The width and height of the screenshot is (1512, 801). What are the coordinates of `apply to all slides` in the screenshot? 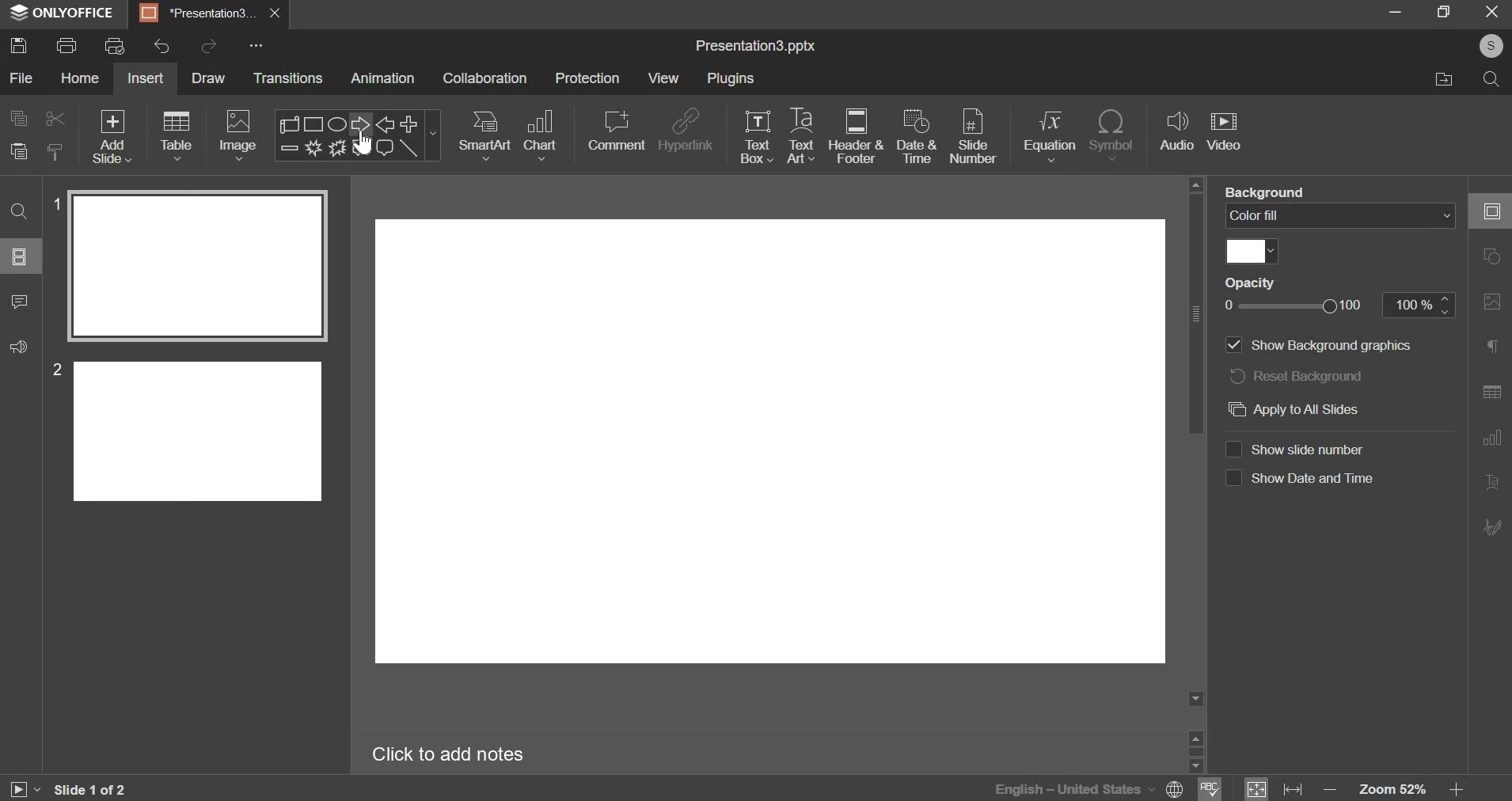 It's located at (1321, 410).